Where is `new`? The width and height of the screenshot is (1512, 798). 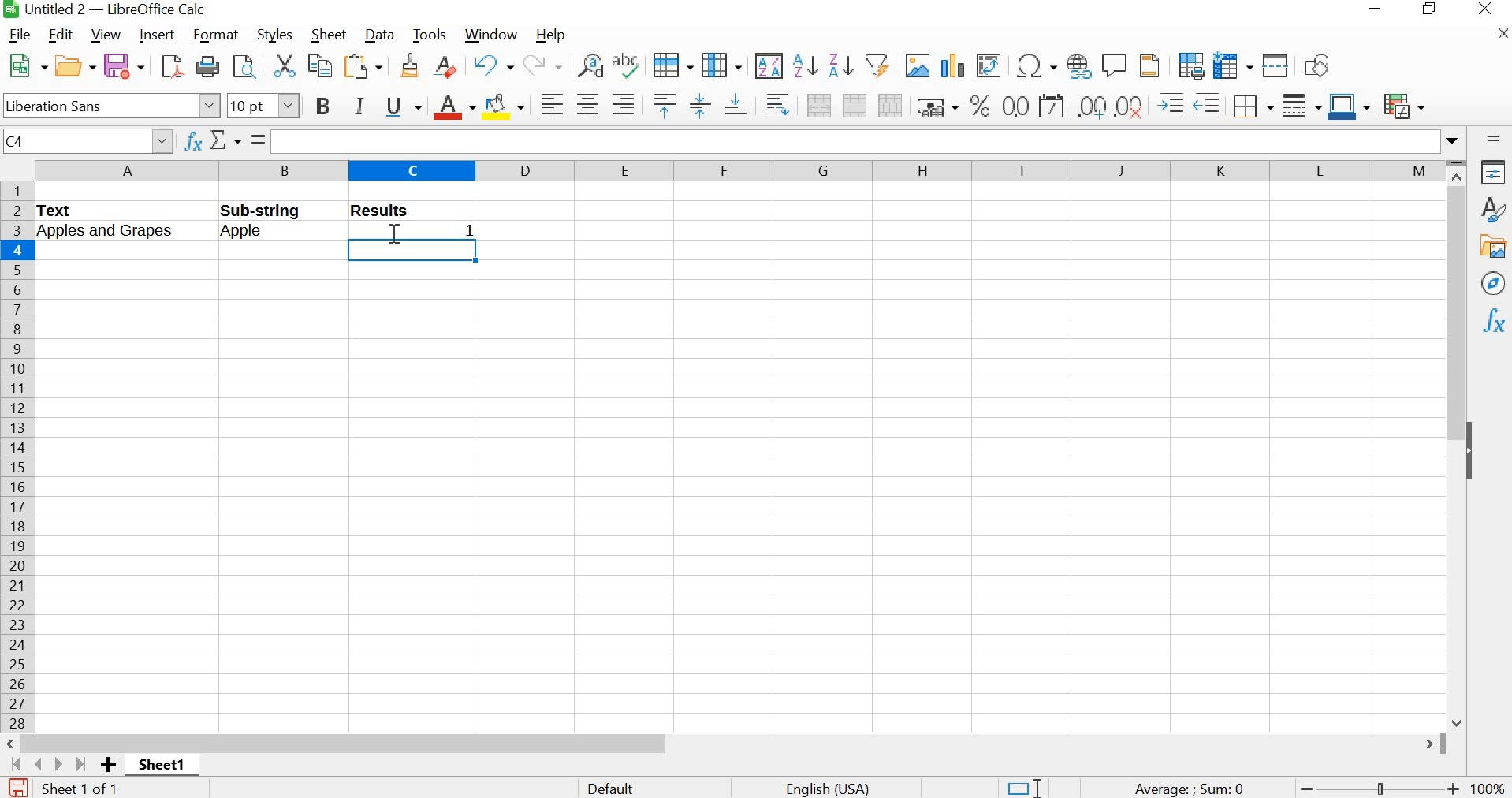 new is located at coordinates (24, 64).